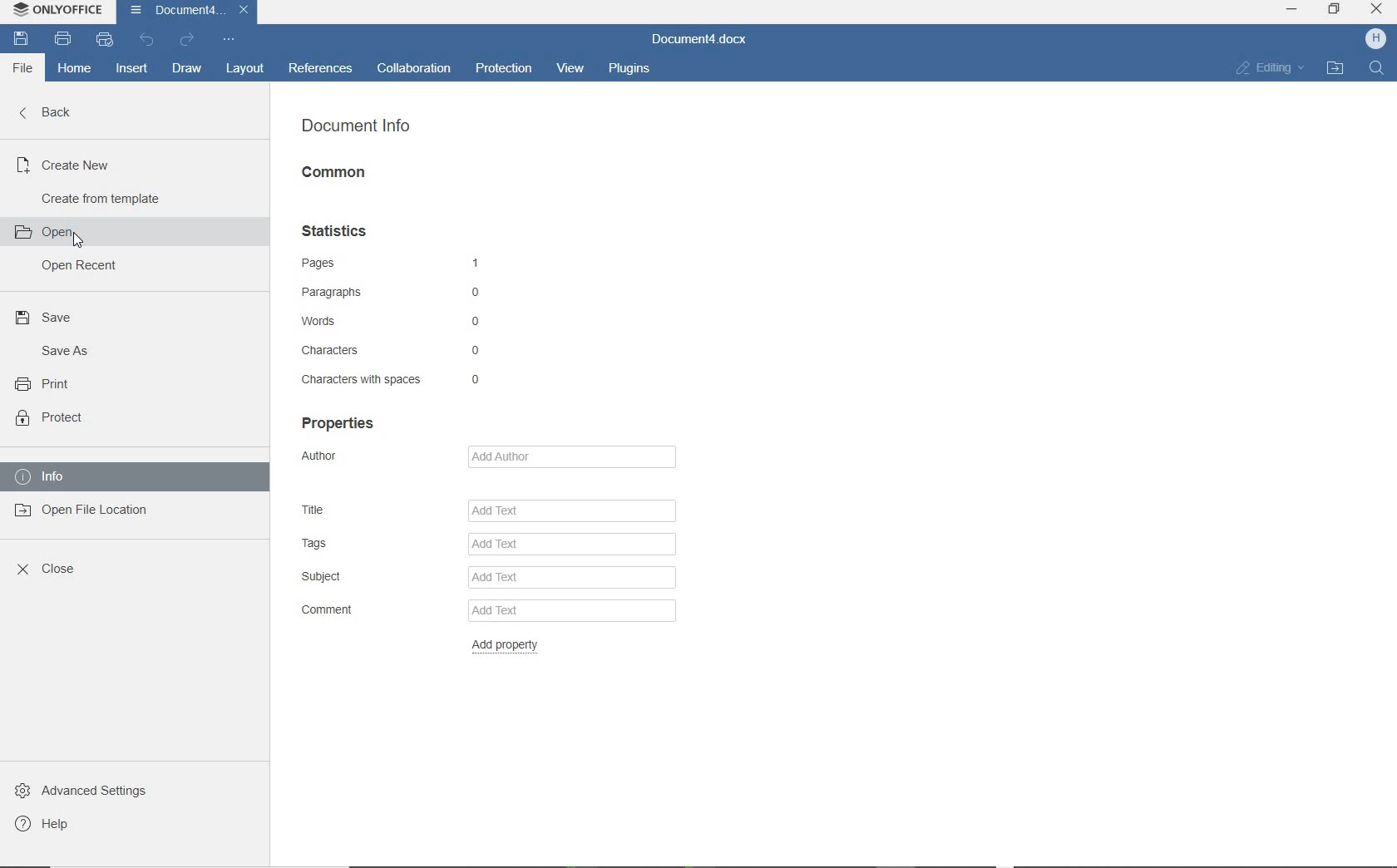 The height and width of the screenshot is (868, 1397). I want to click on properties, so click(343, 422).